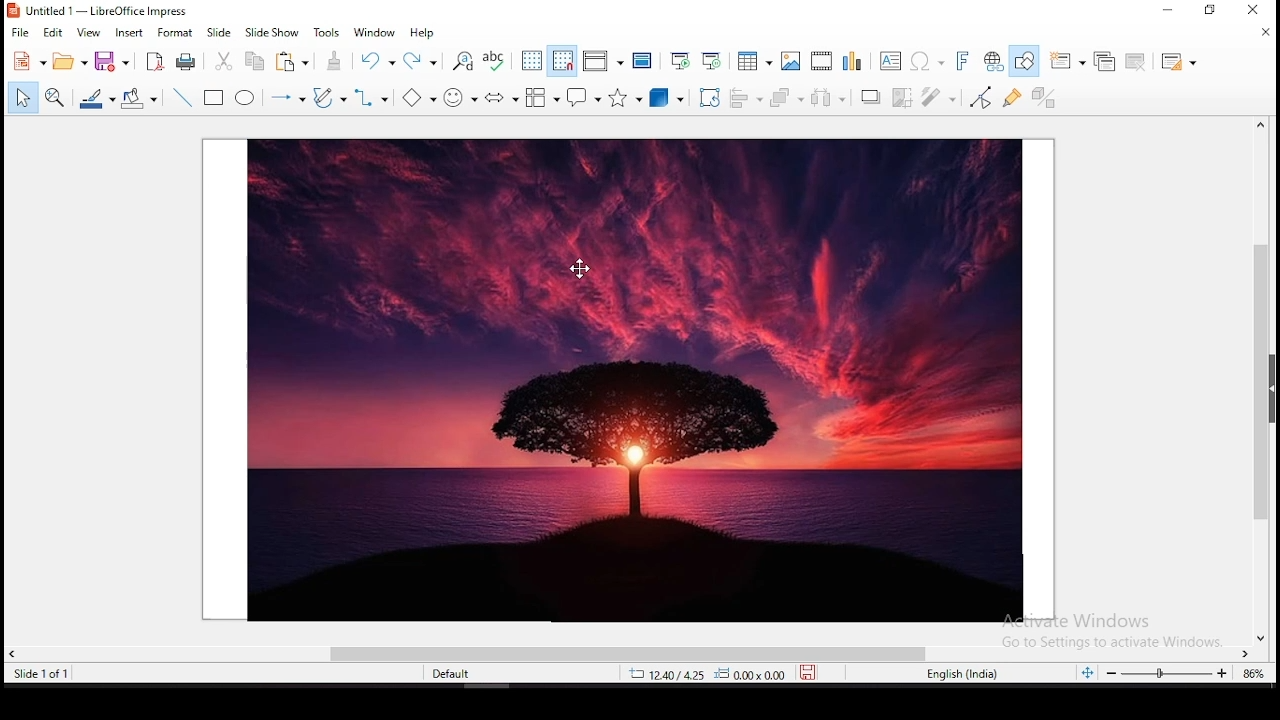  I want to click on default, so click(457, 677).